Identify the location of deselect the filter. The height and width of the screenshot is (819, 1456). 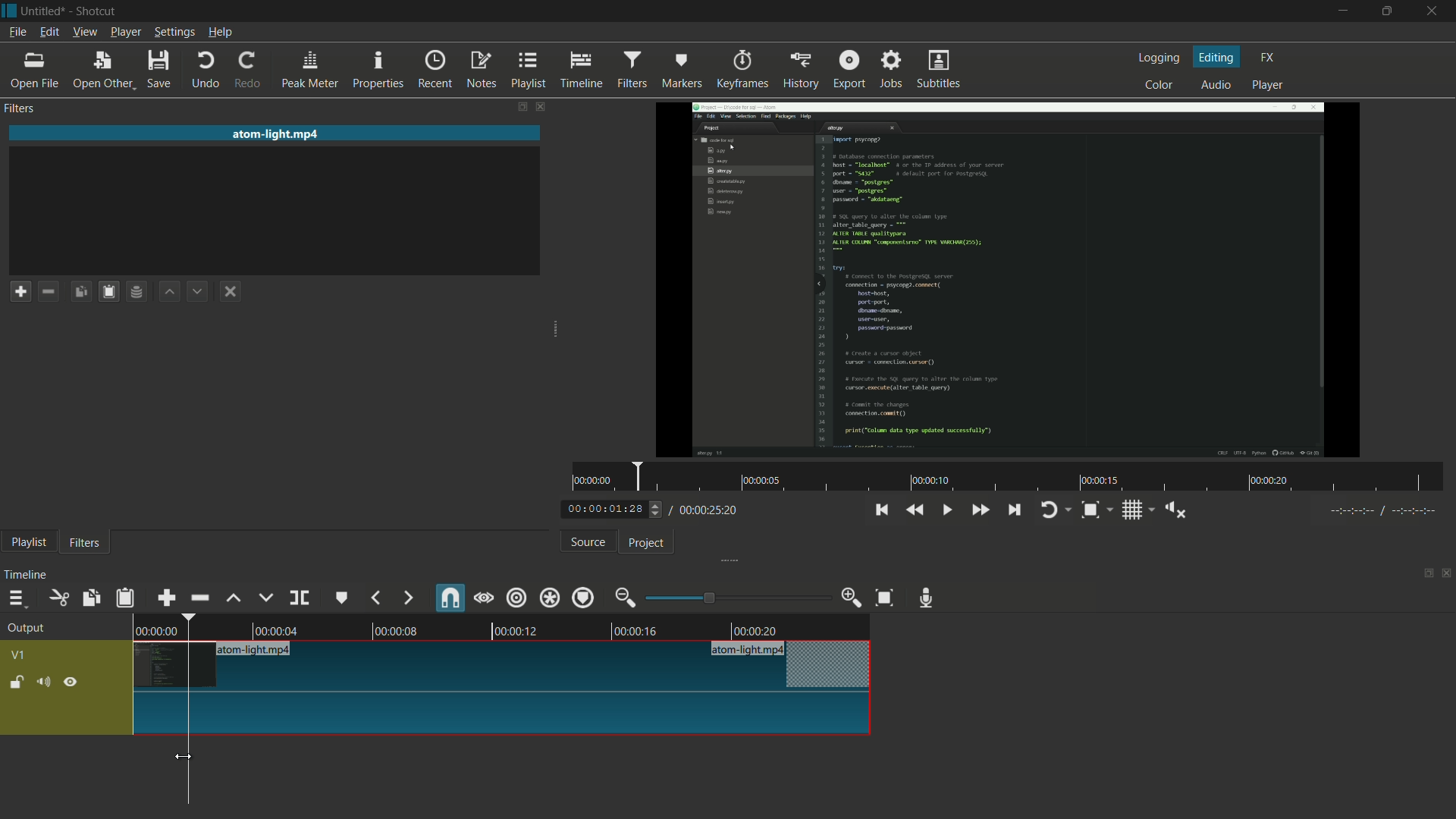
(234, 292).